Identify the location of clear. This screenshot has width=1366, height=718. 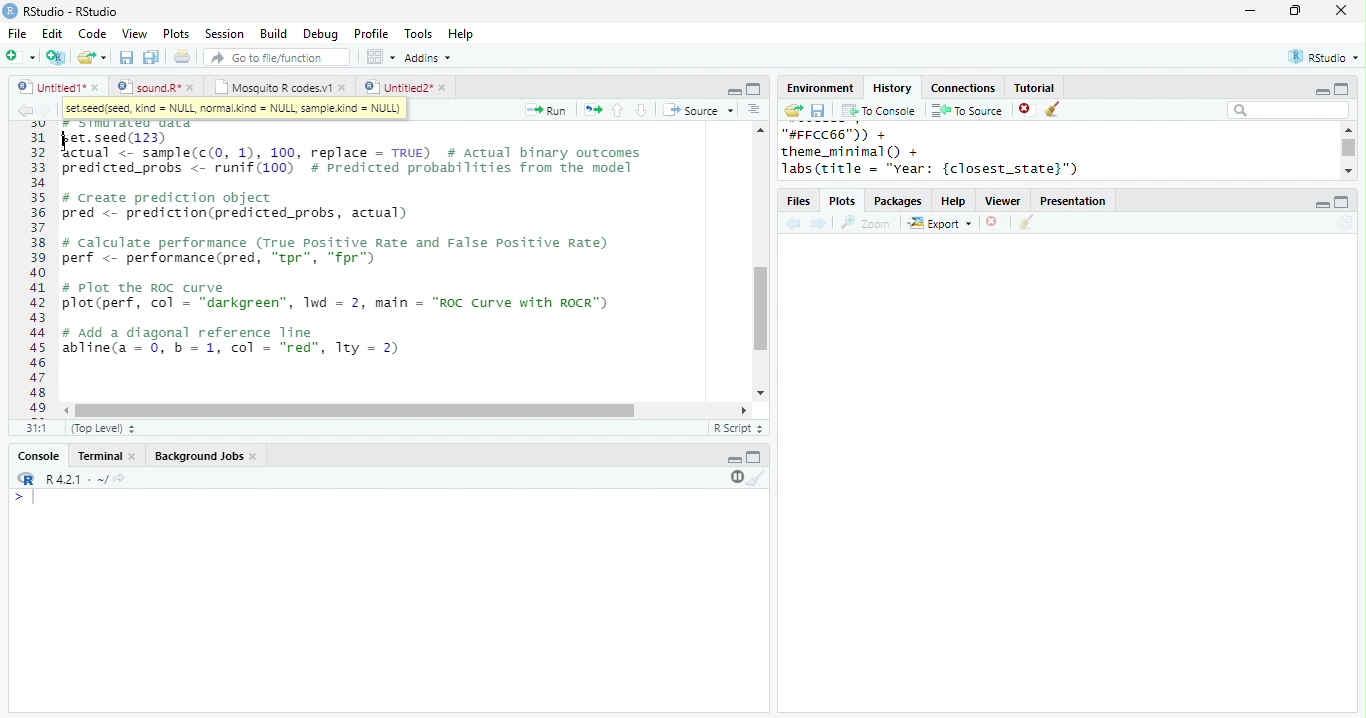
(1054, 110).